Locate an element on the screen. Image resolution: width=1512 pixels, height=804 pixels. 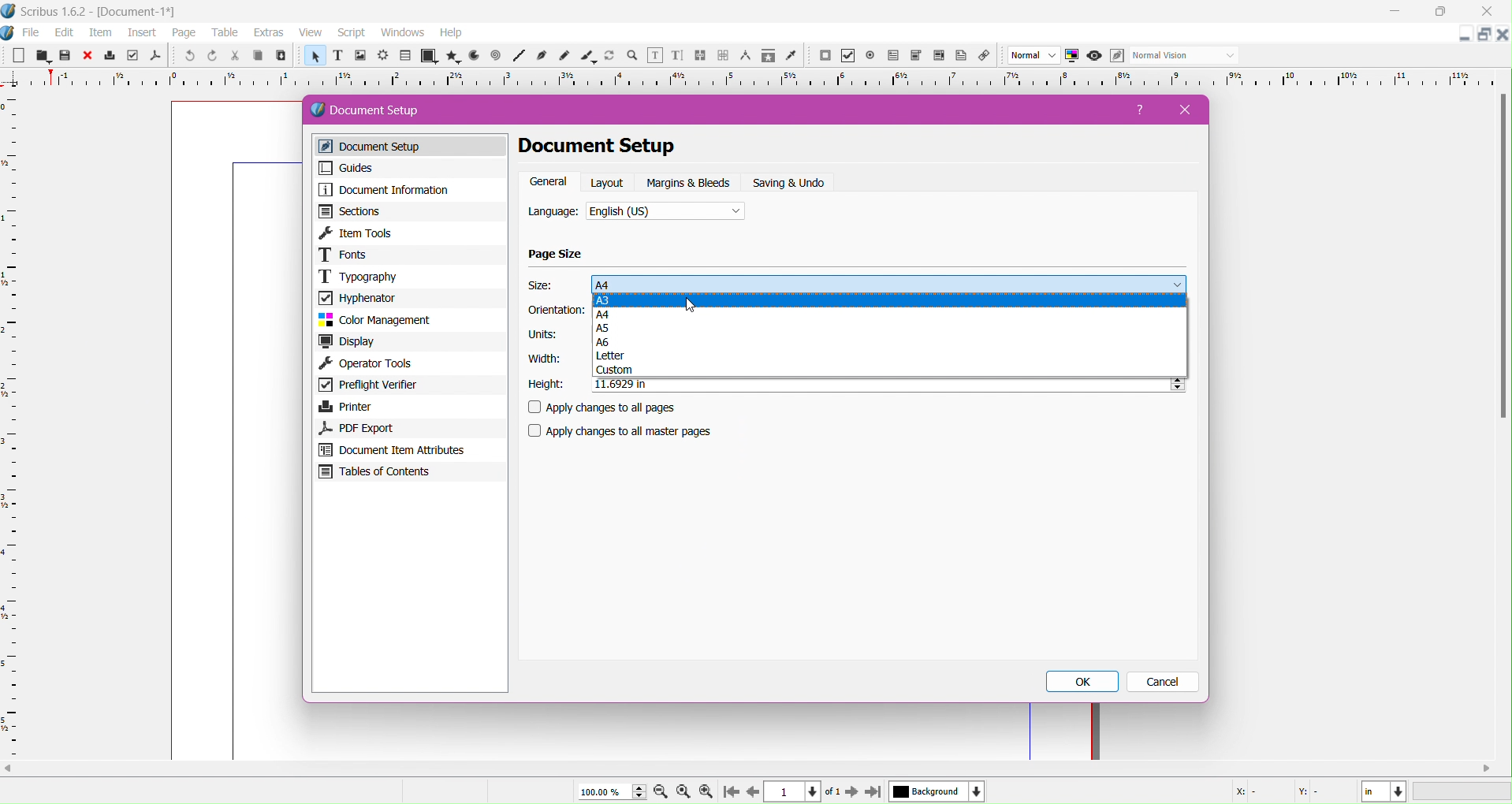
copy item properties is located at coordinates (768, 58).